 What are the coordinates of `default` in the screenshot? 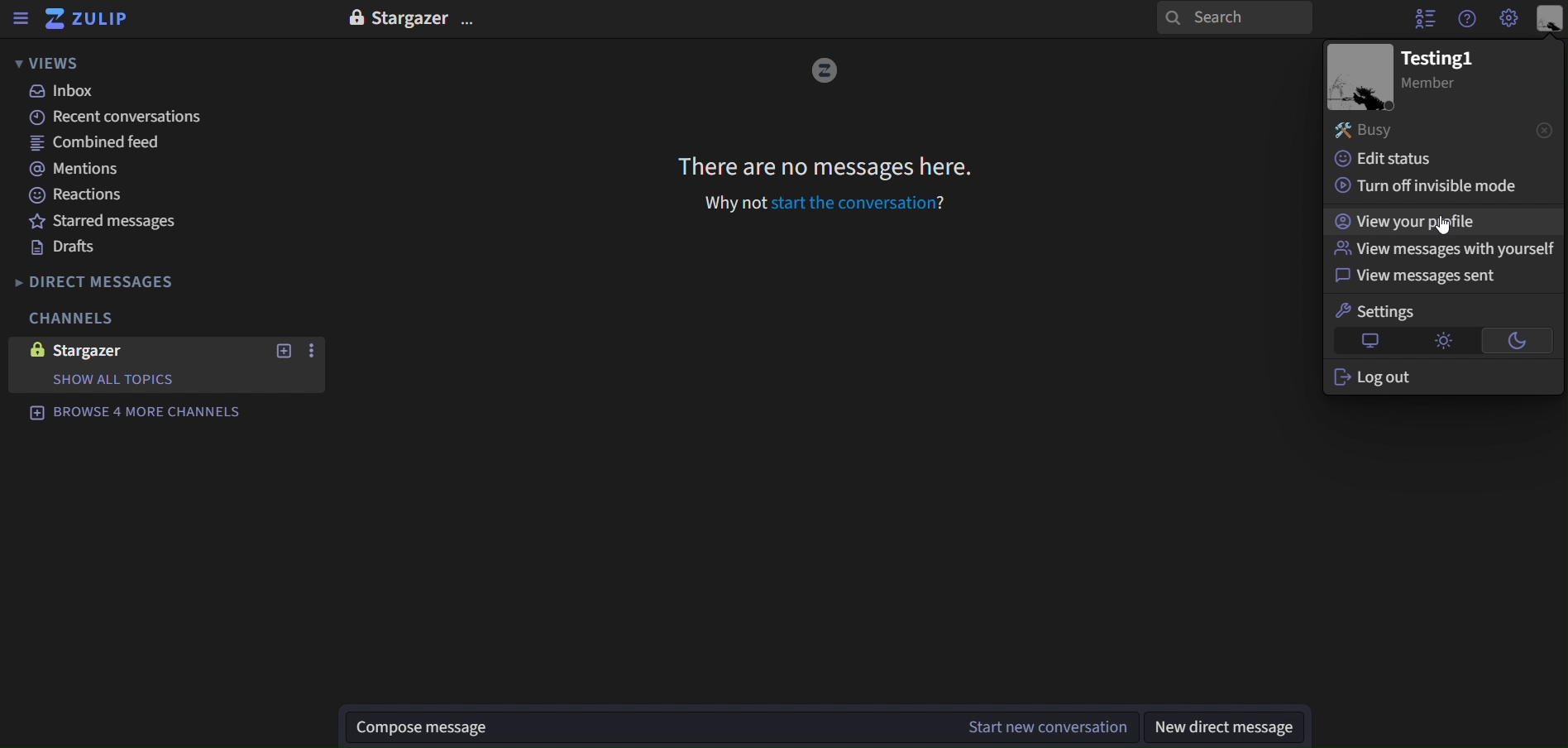 It's located at (1371, 341).